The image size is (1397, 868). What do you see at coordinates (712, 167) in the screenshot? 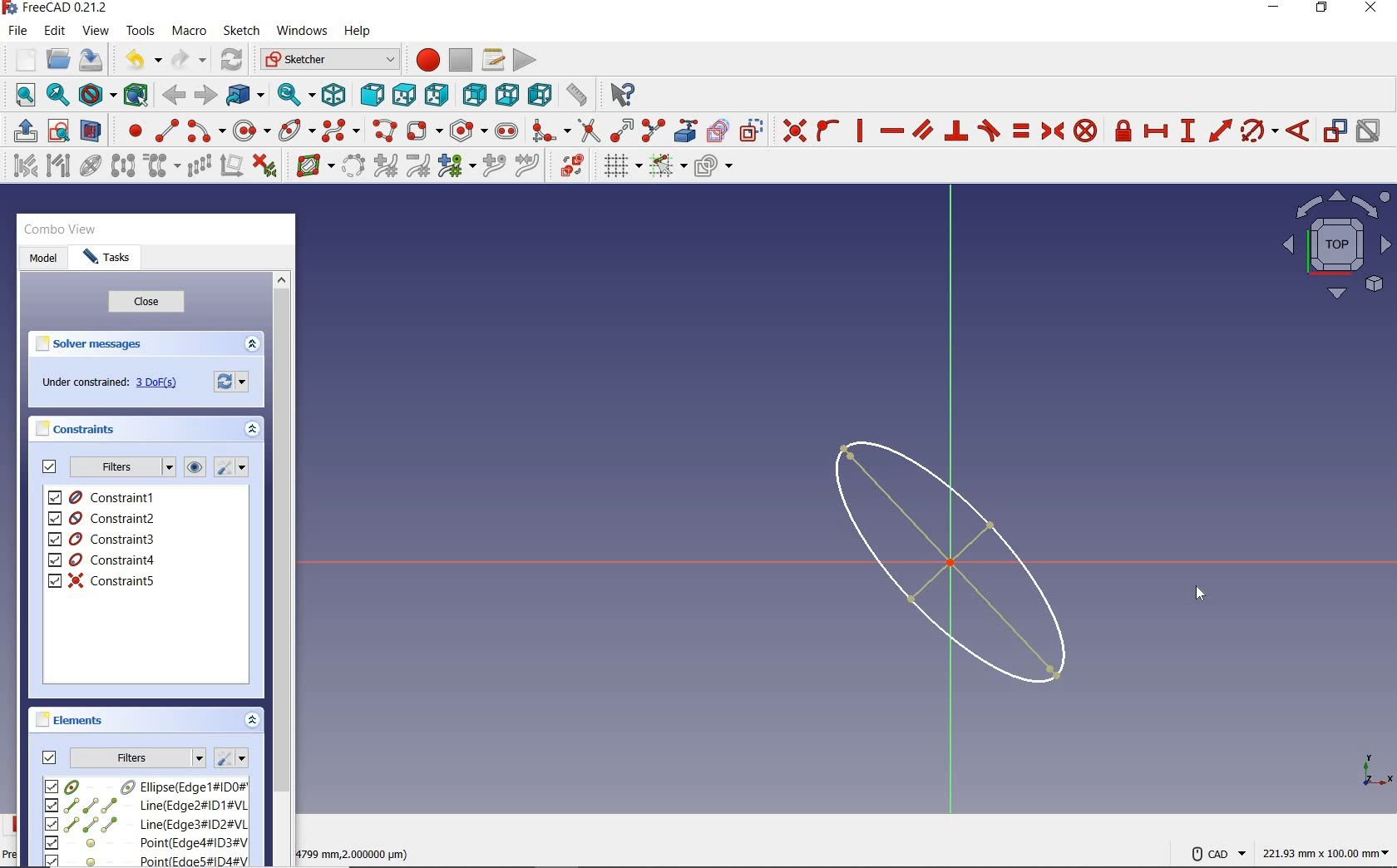
I see `configure rendering order` at bounding box center [712, 167].